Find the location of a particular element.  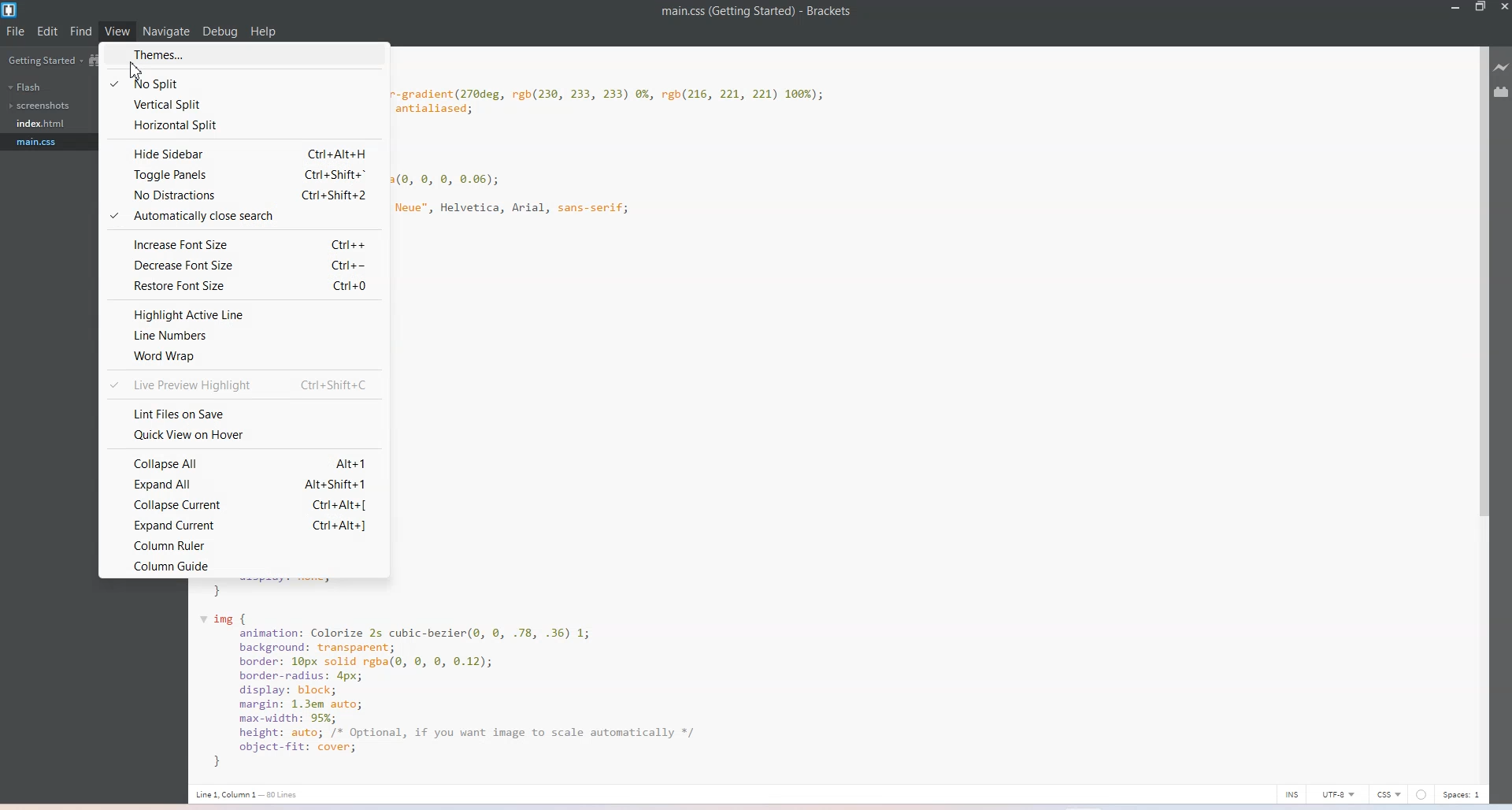

Expand current is located at coordinates (245, 524).